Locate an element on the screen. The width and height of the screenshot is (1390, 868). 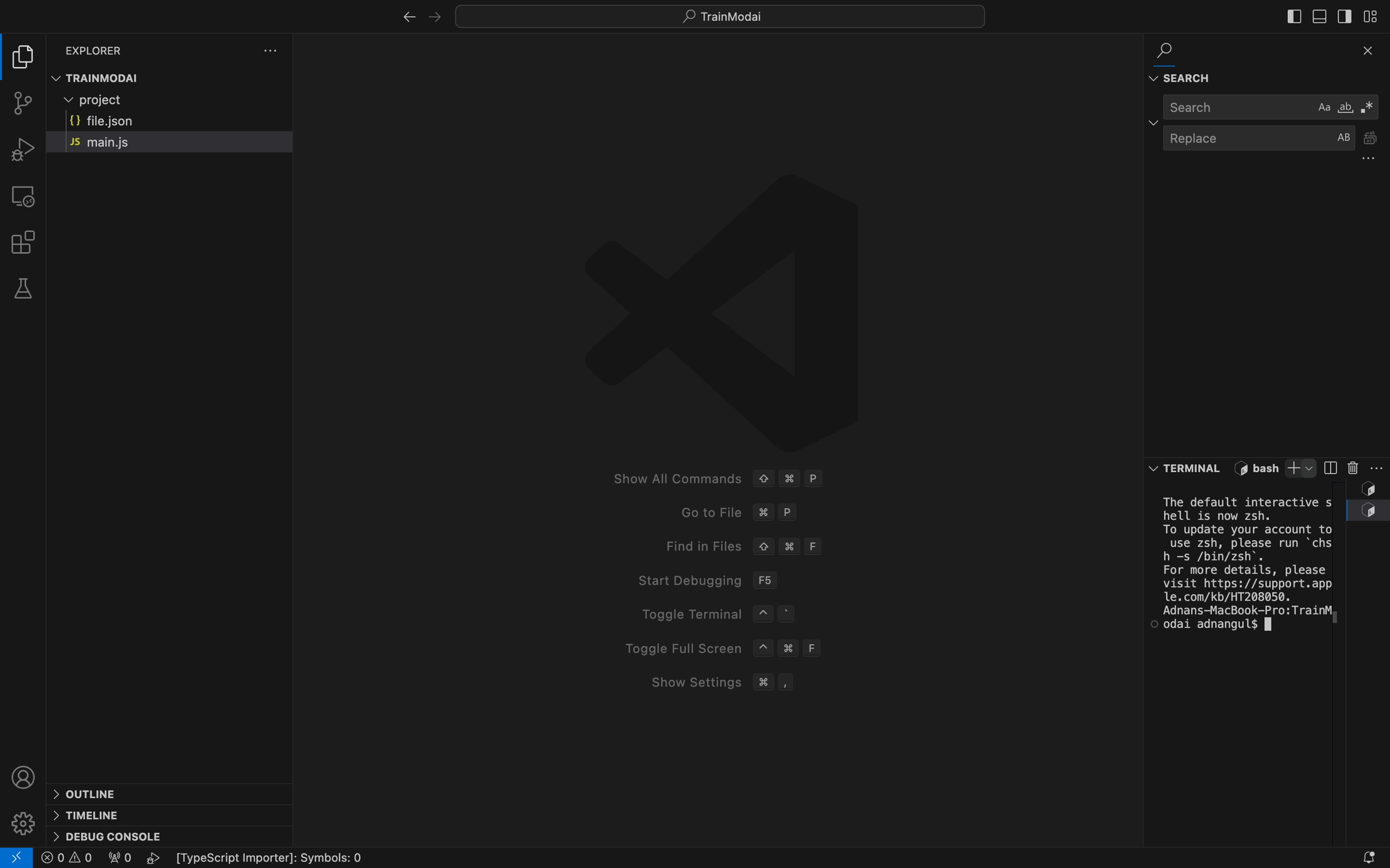
Typescript is located at coordinates (280, 859).